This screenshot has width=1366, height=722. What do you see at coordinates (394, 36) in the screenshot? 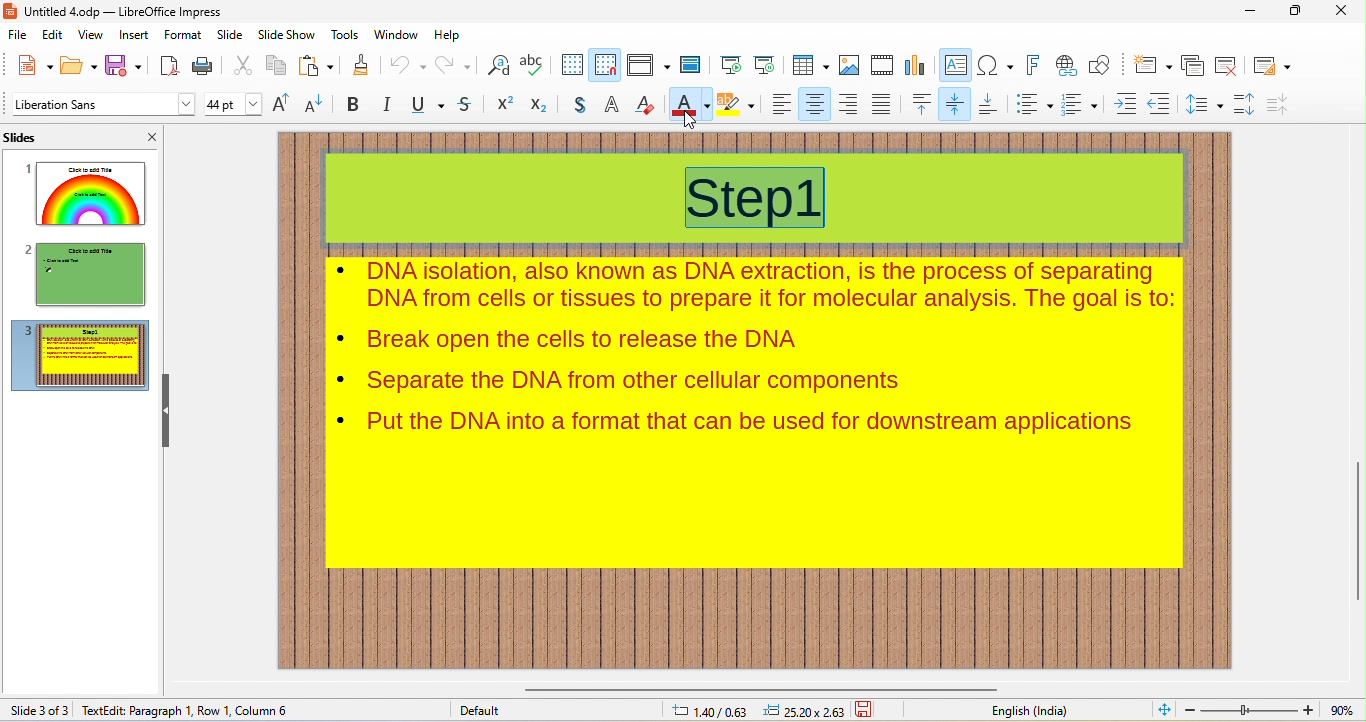
I see `window` at bounding box center [394, 36].